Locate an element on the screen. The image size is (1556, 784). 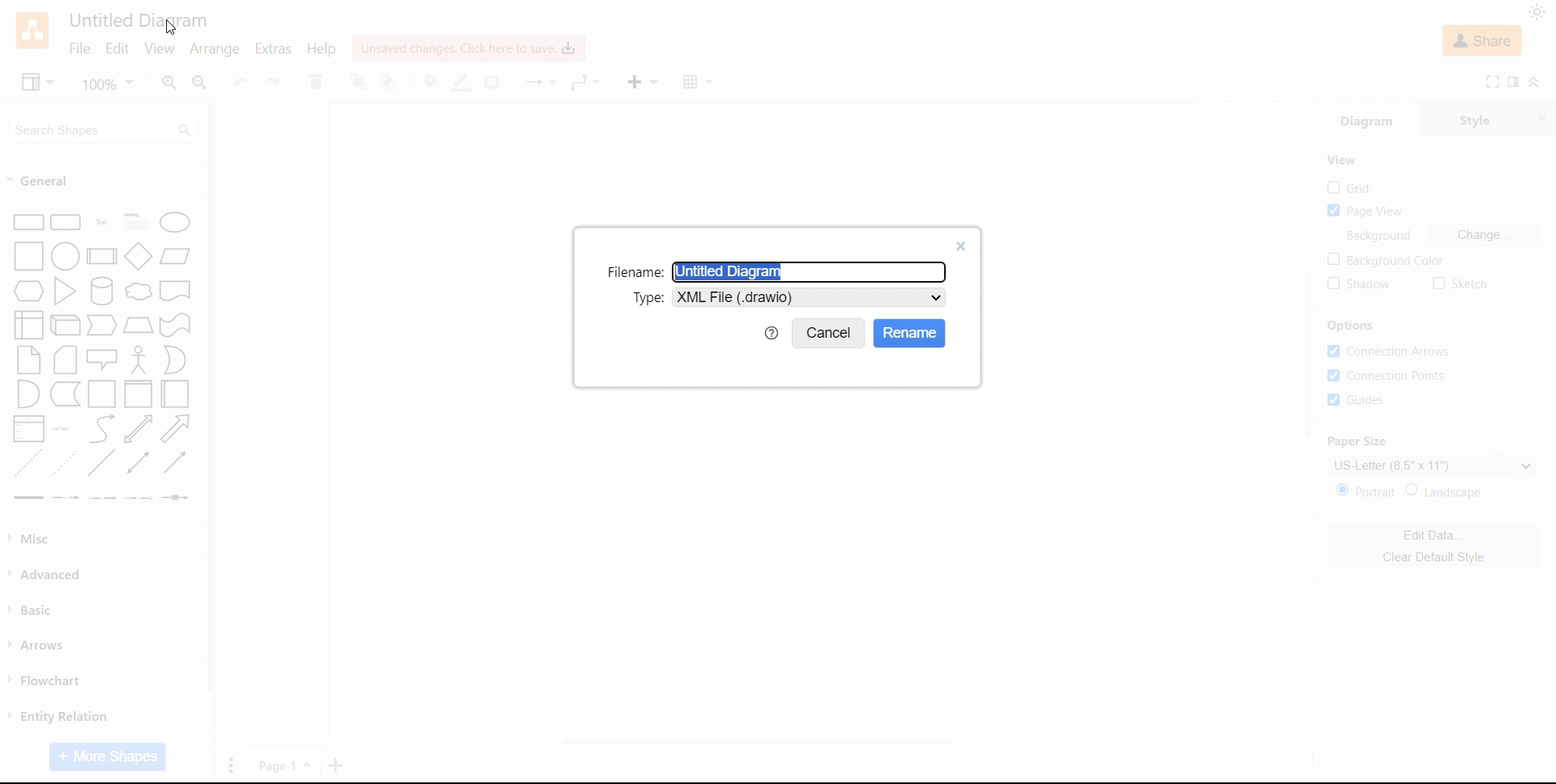
connection arrows  is located at coordinates (1389, 352).